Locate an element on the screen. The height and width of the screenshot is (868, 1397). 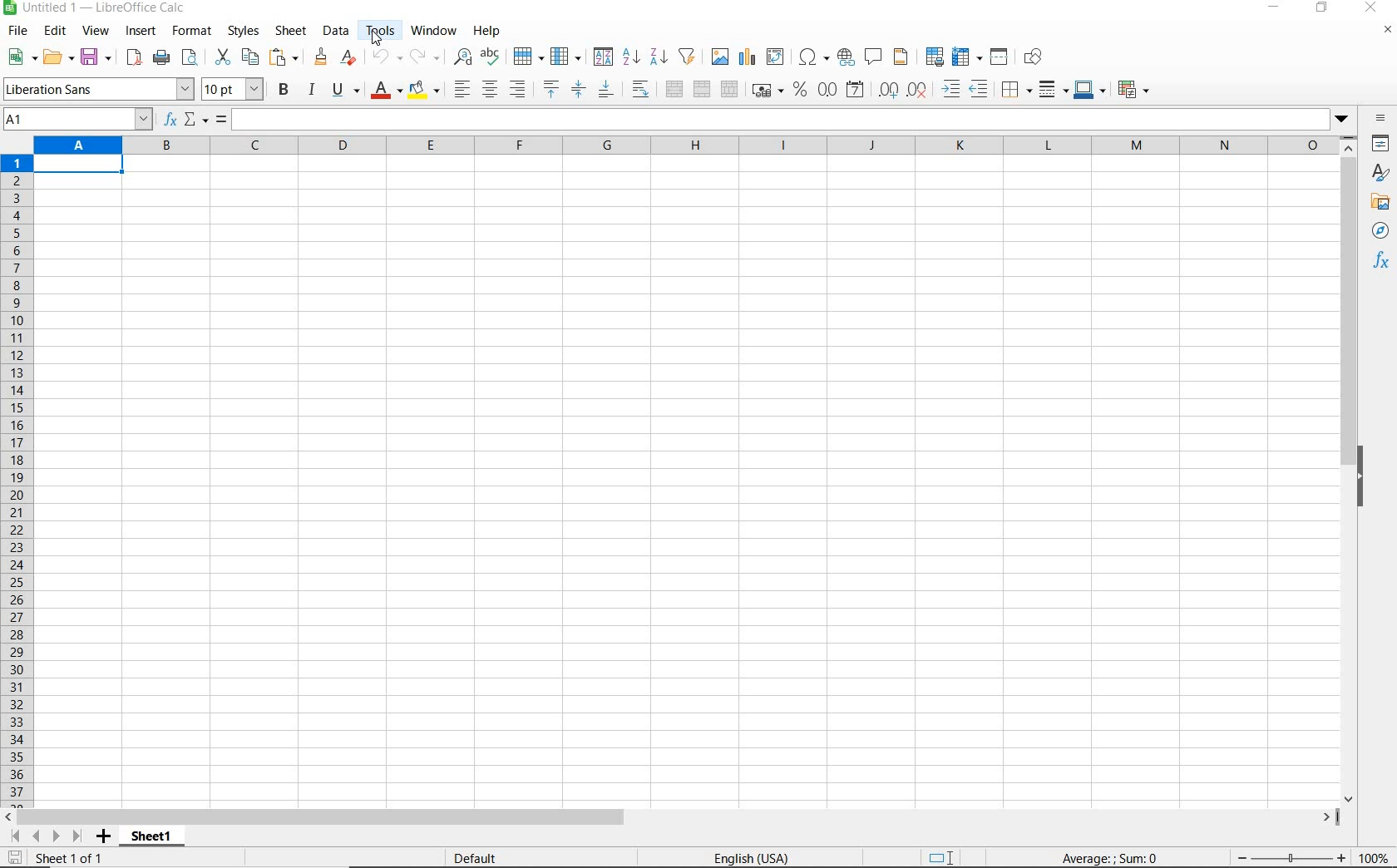
sheet is located at coordinates (291, 30).